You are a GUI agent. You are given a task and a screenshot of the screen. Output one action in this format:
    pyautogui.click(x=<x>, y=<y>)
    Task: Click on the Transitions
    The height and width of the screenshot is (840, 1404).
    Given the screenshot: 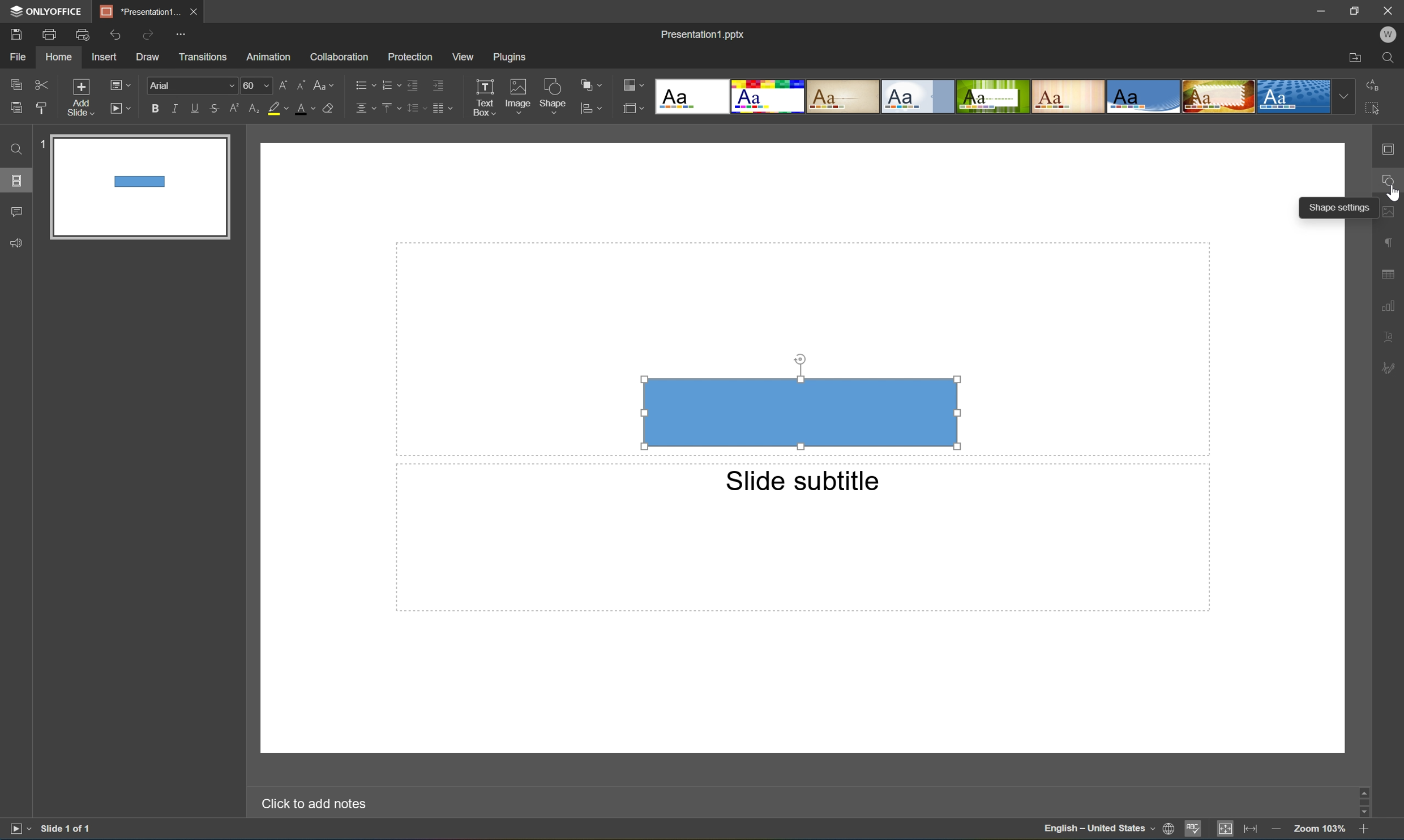 What is the action you would take?
    pyautogui.click(x=201, y=57)
    